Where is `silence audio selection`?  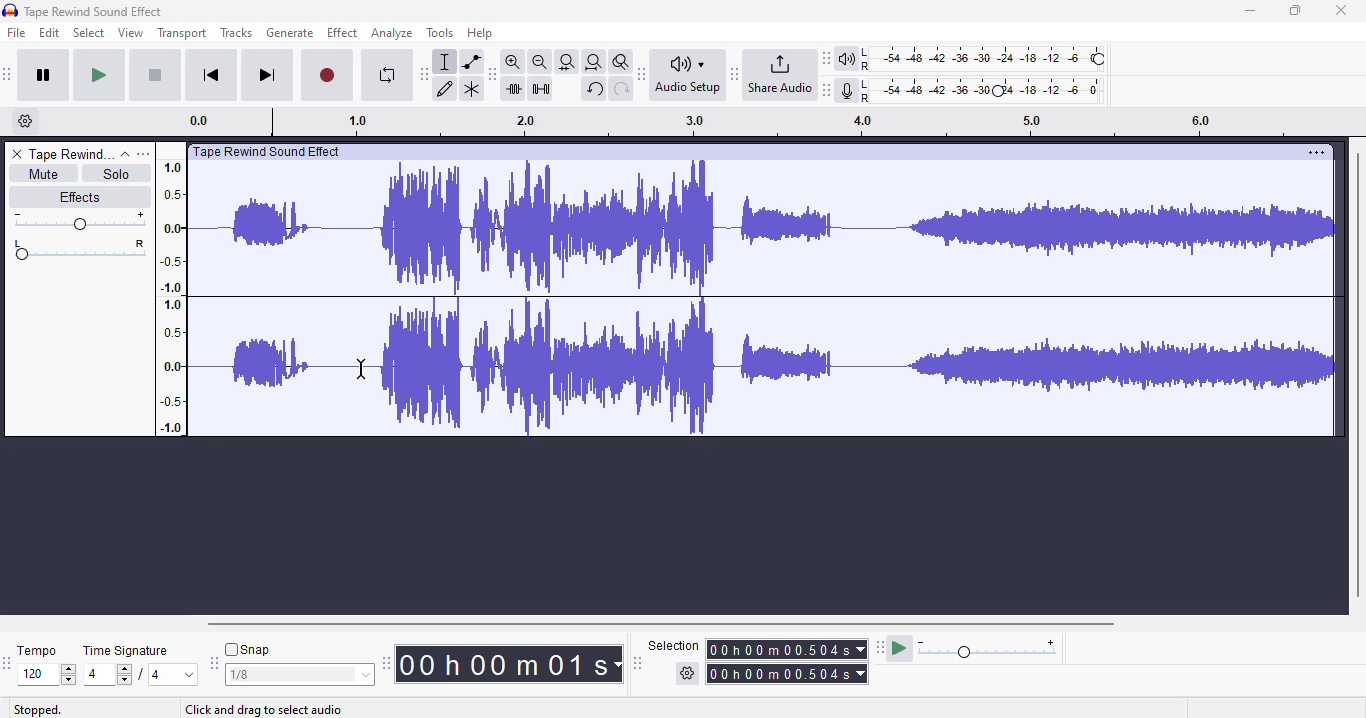
silence audio selection is located at coordinates (541, 89).